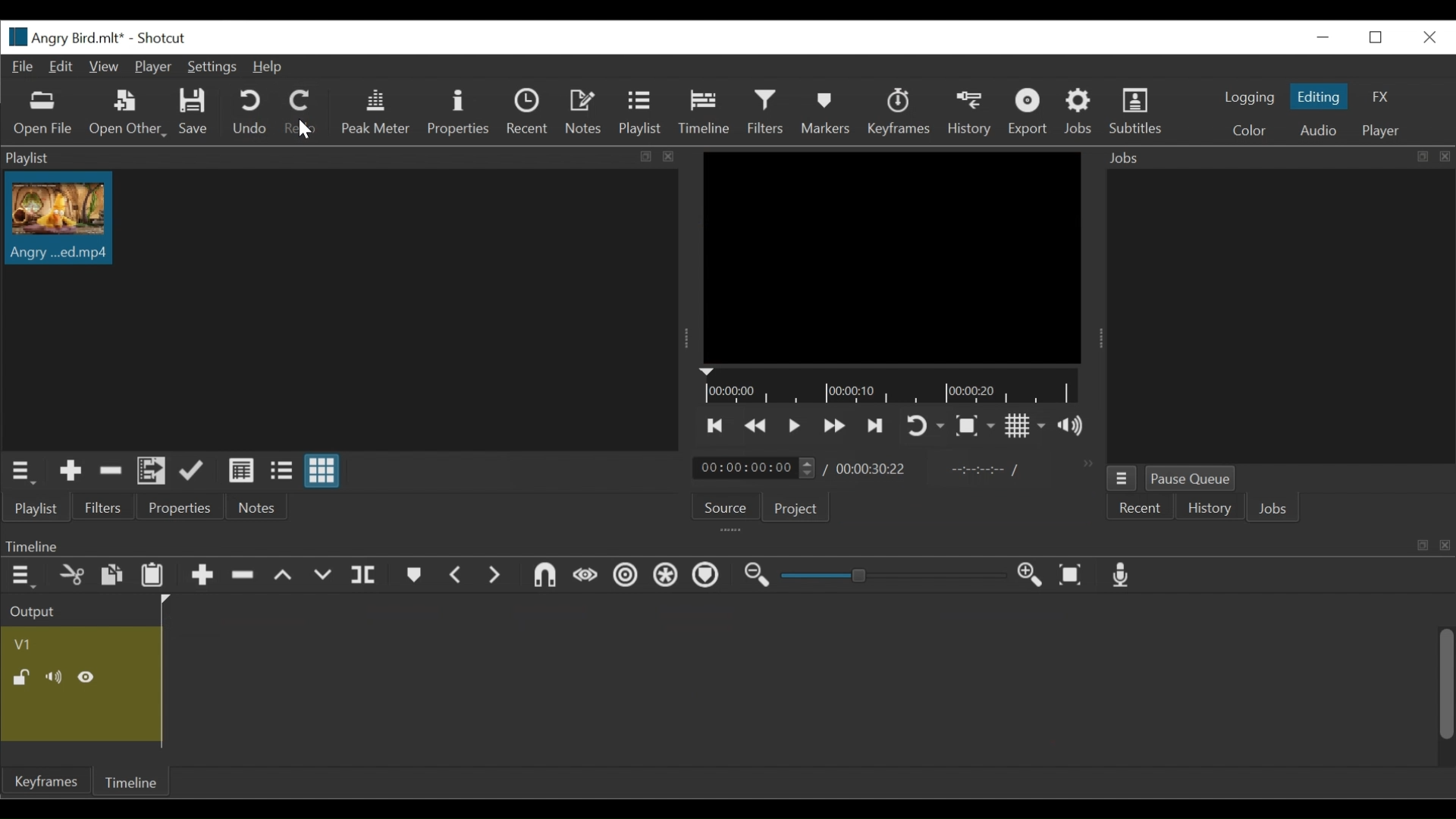  What do you see at coordinates (1318, 131) in the screenshot?
I see `Audio` at bounding box center [1318, 131].